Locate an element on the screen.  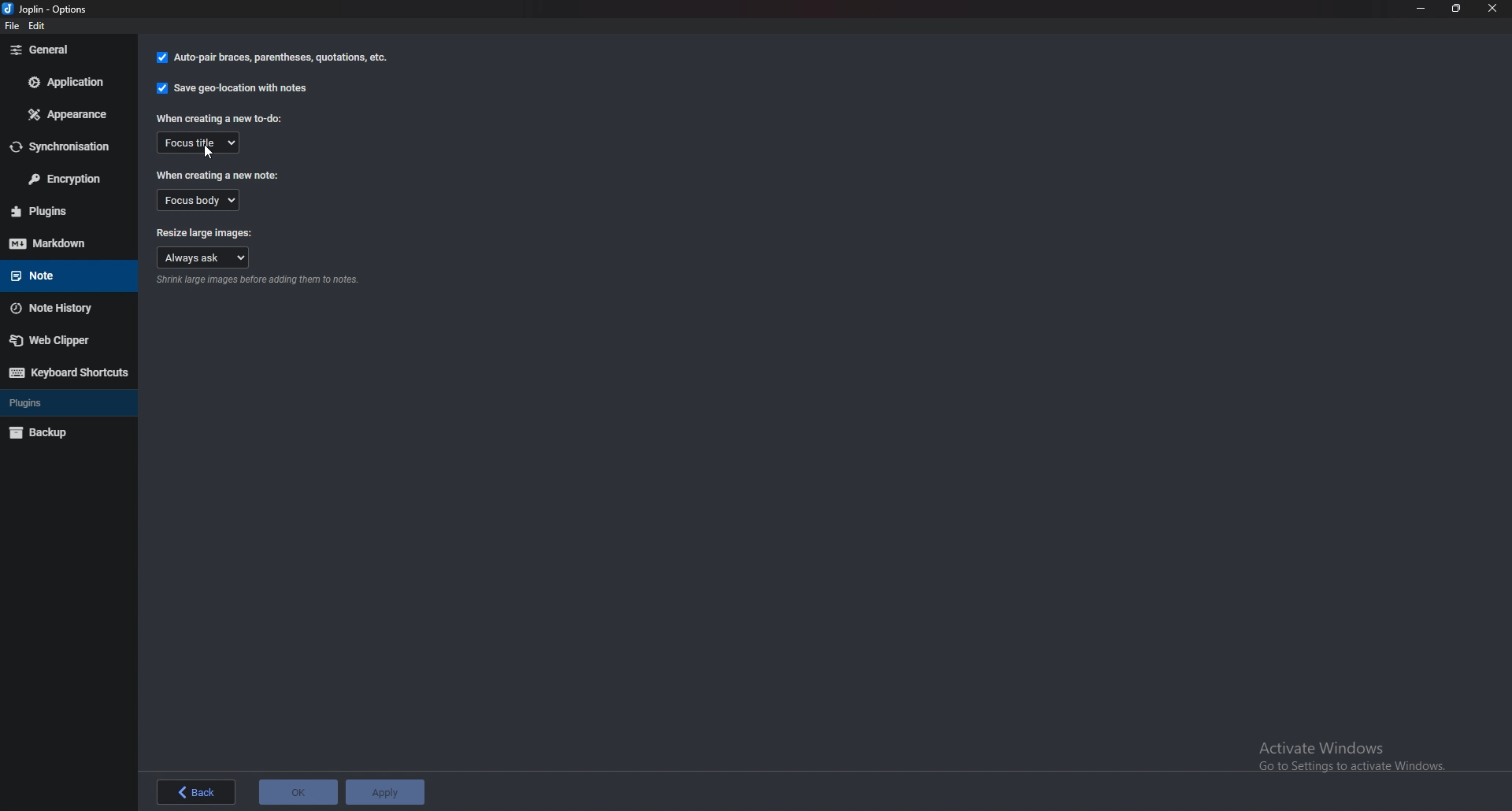
cursor is located at coordinates (212, 154).